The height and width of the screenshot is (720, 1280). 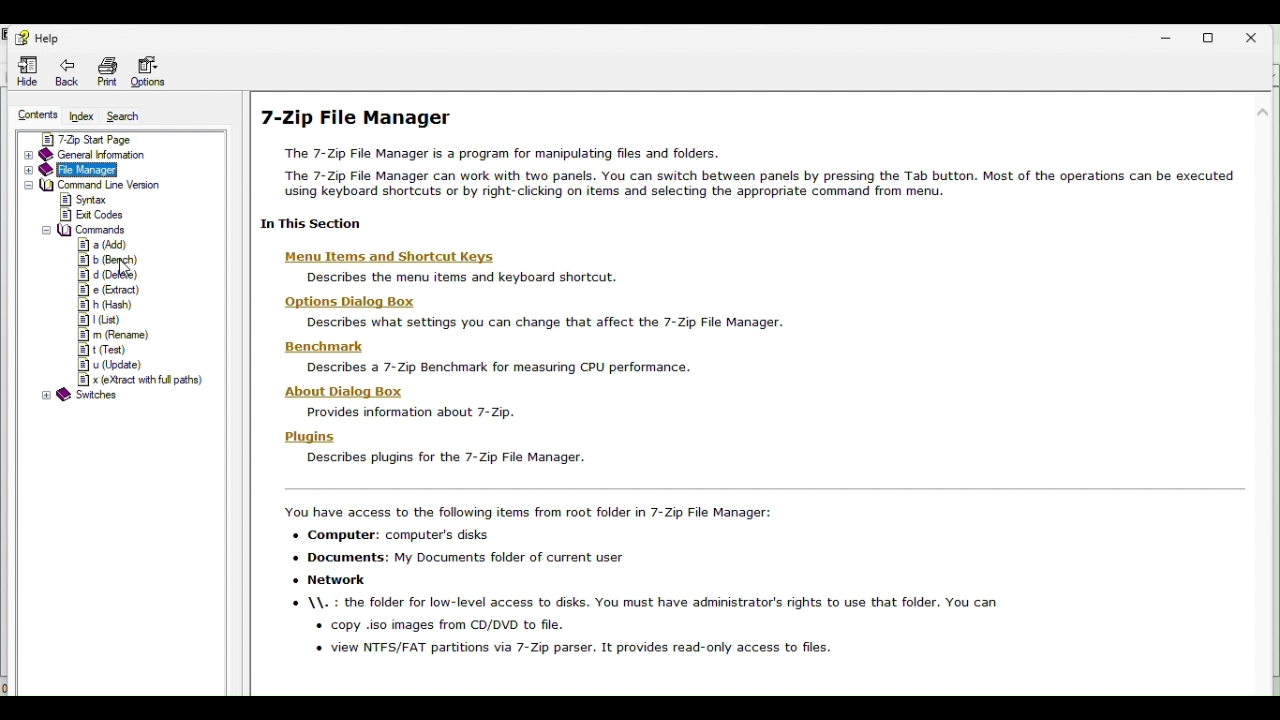 I want to click on l, so click(x=104, y=320).